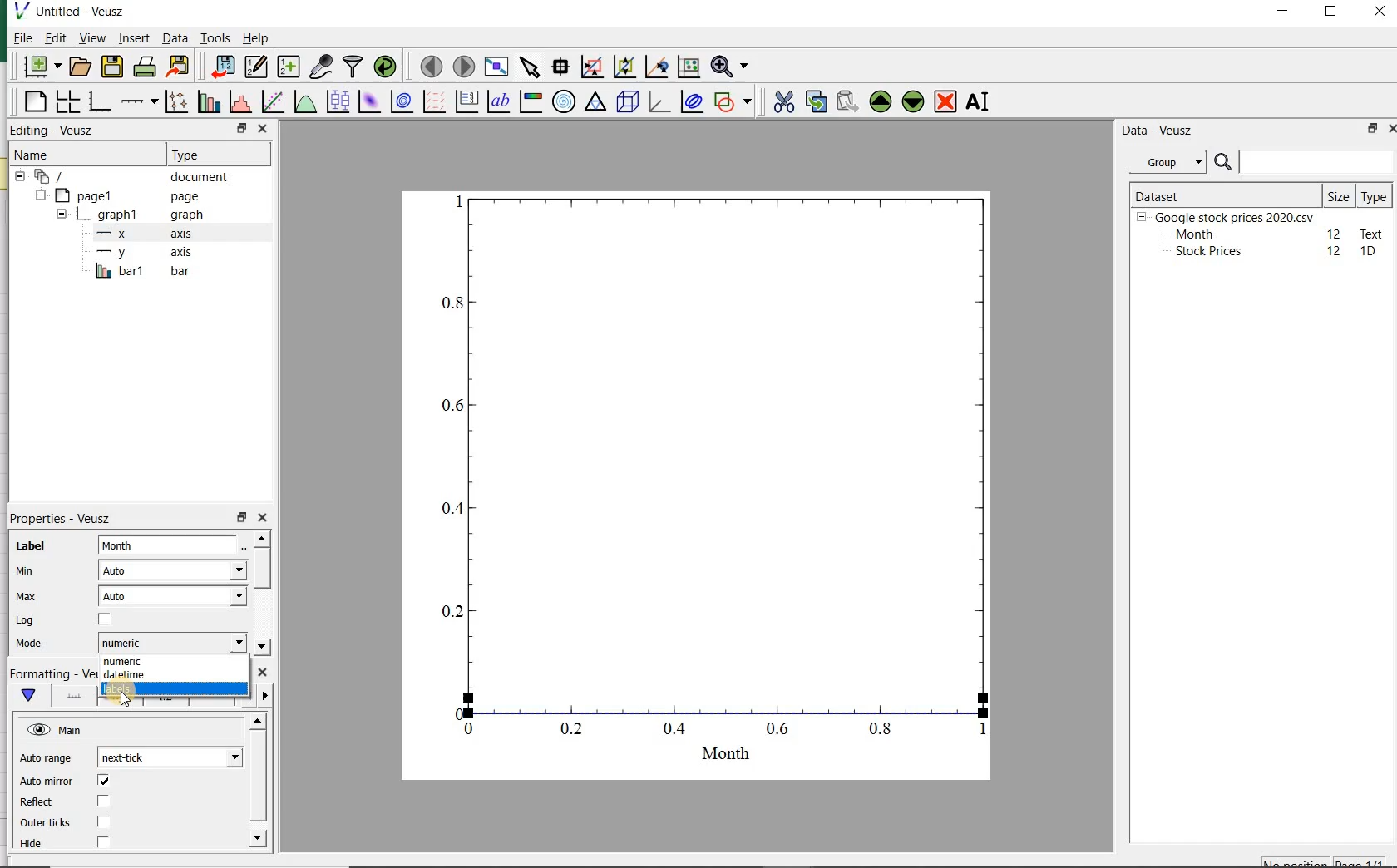 This screenshot has height=868, width=1397. What do you see at coordinates (733, 102) in the screenshot?
I see `add a shape to the plot` at bounding box center [733, 102].